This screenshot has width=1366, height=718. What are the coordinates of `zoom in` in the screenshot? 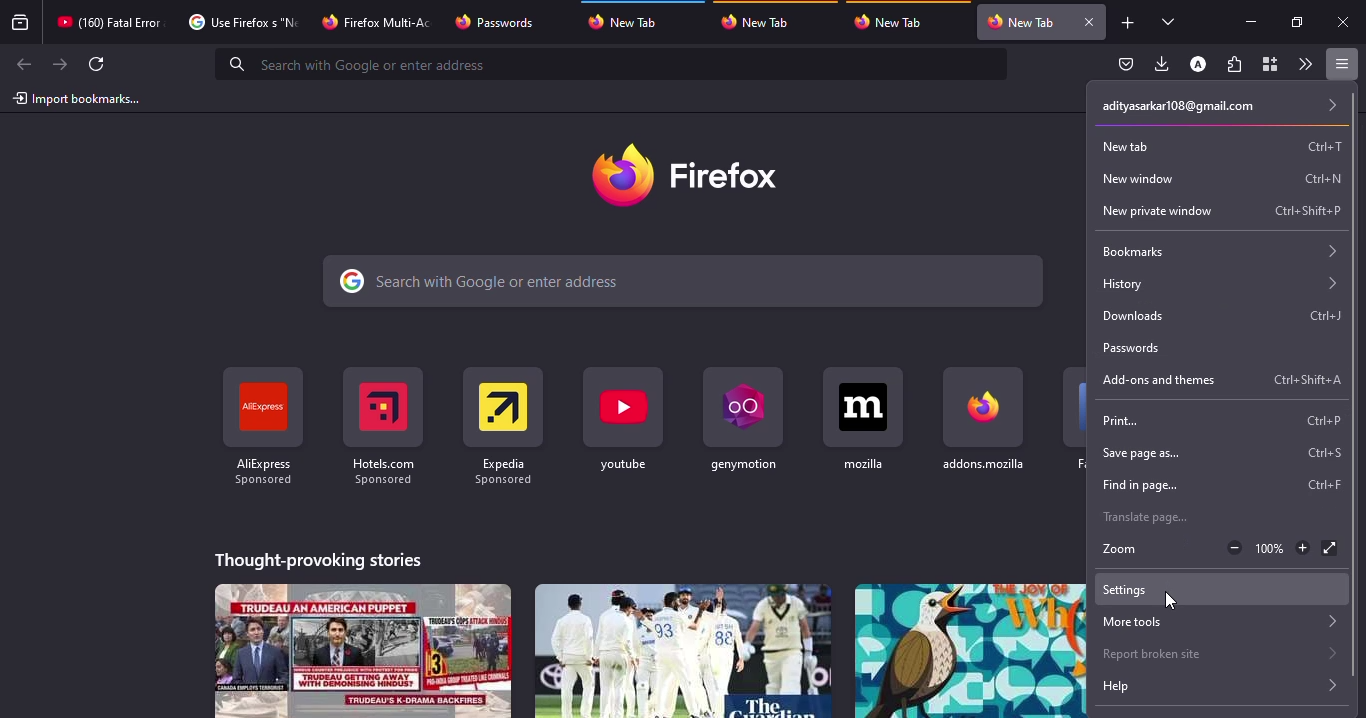 It's located at (1304, 548).